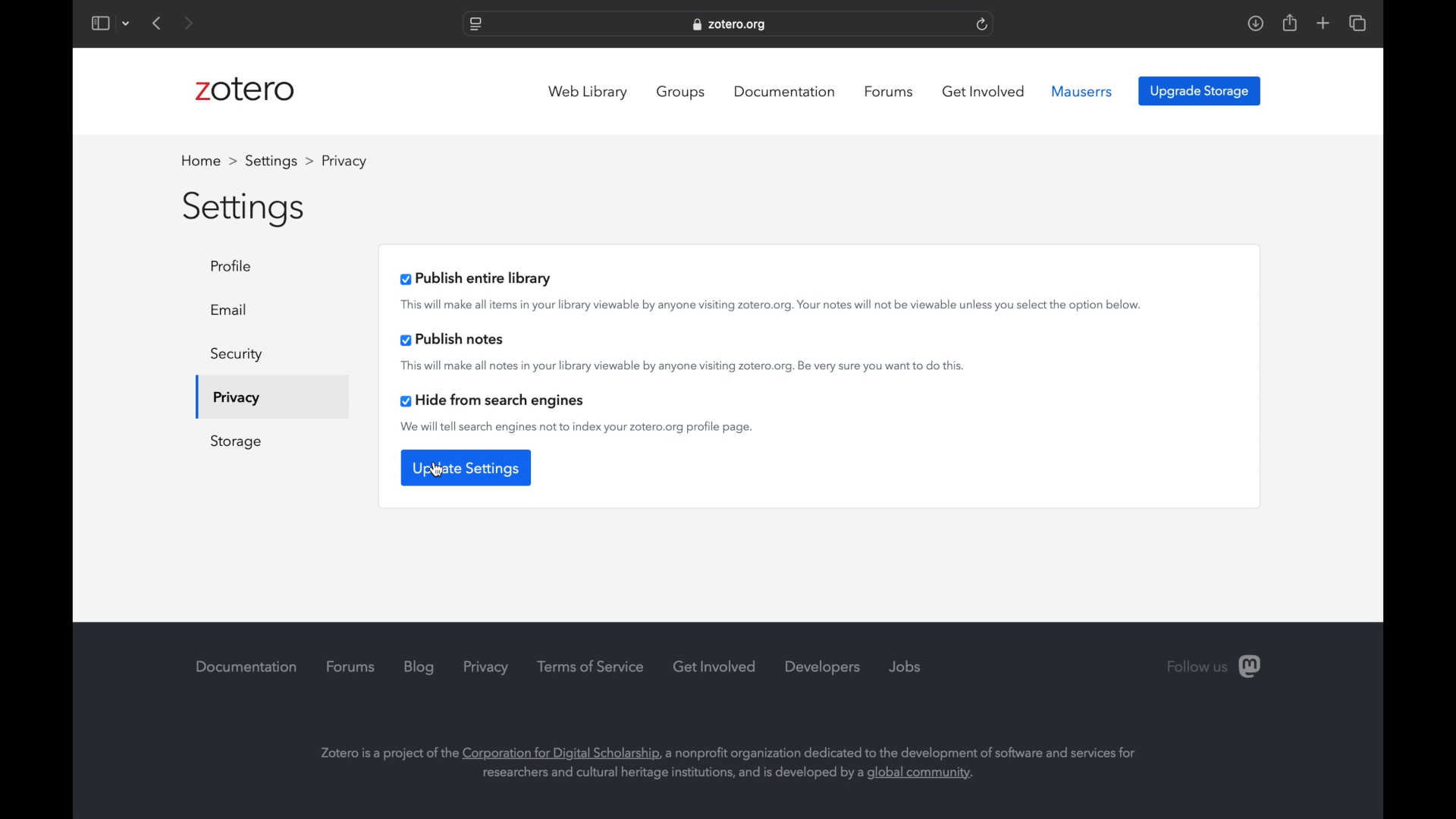 Image resolution: width=1456 pixels, height=819 pixels. I want to click on storage, so click(237, 442).